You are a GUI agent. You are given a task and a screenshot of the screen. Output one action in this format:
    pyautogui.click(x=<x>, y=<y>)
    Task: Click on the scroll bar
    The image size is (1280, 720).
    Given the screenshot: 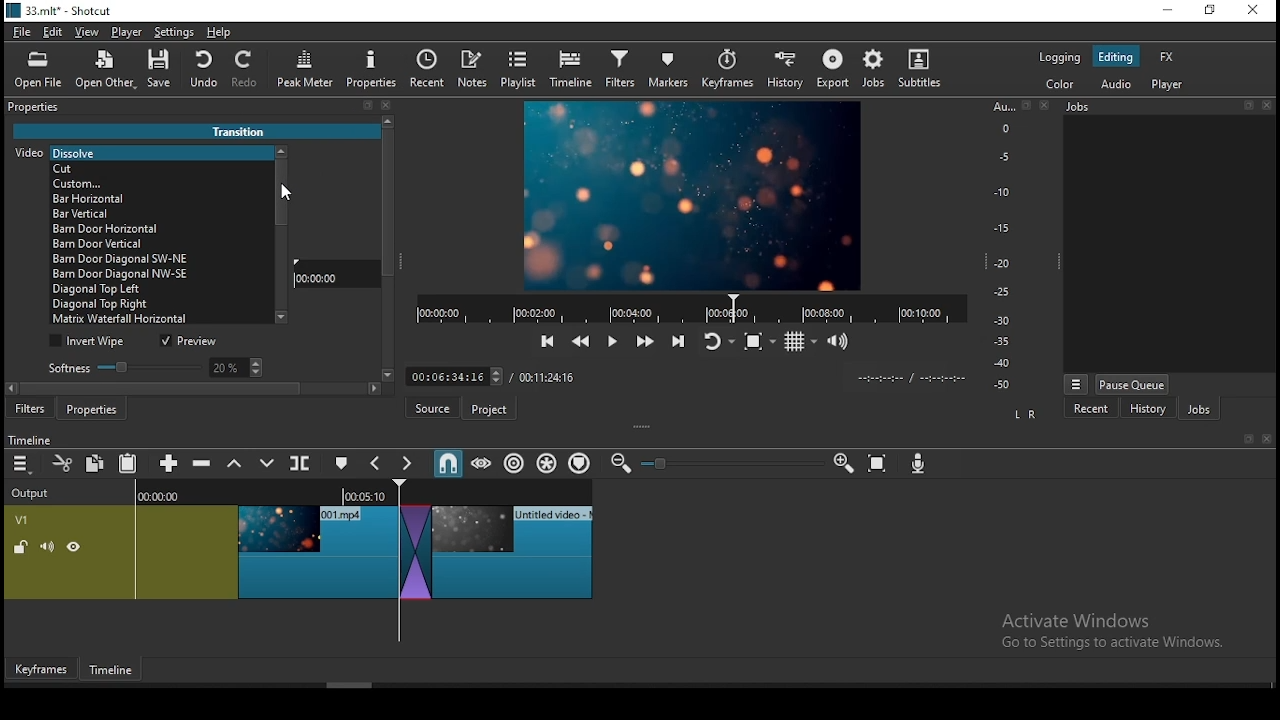 What is the action you would take?
    pyautogui.click(x=201, y=391)
    